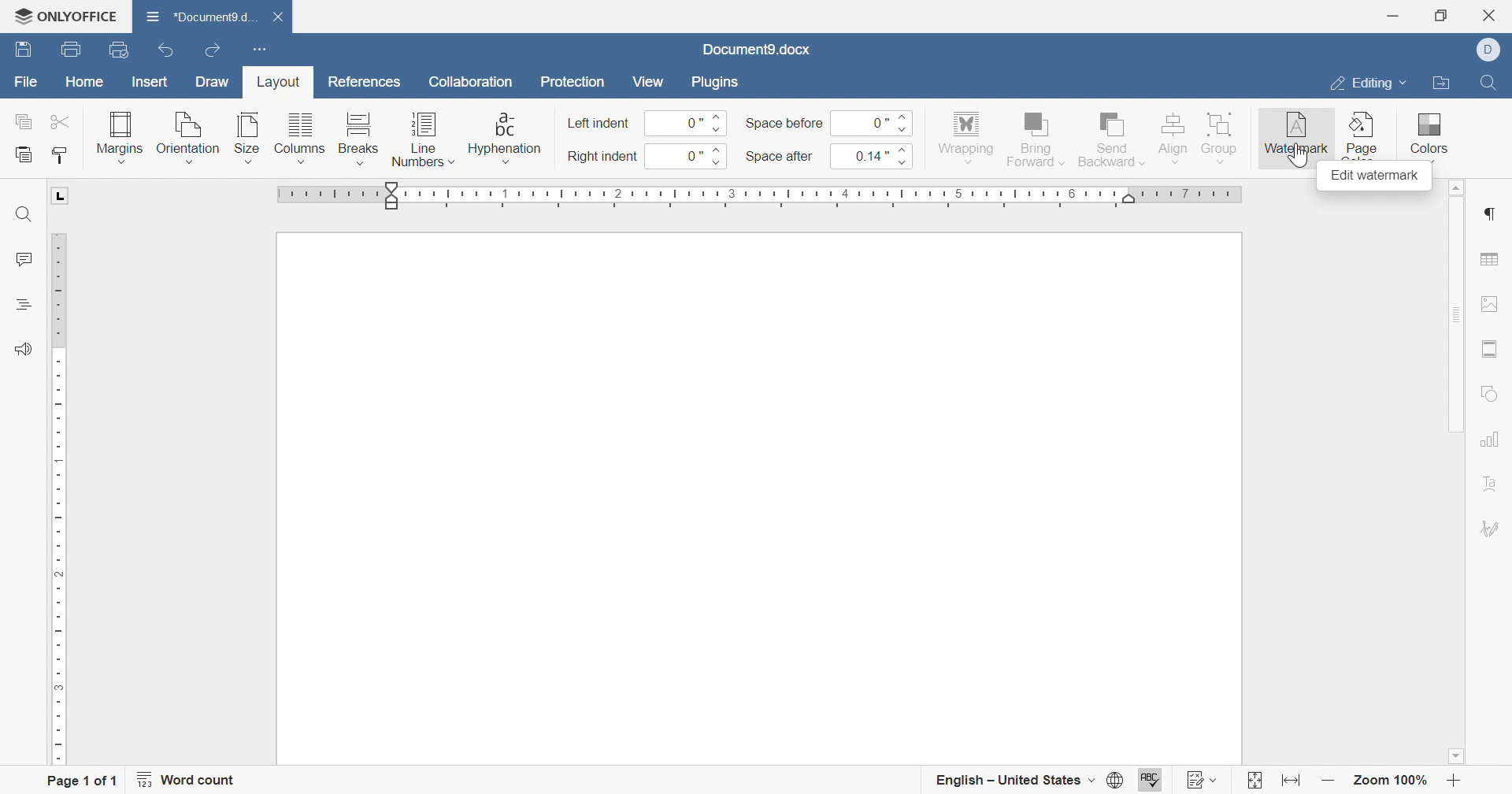  I want to click on customize quick access toolbar, so click(256, 47).